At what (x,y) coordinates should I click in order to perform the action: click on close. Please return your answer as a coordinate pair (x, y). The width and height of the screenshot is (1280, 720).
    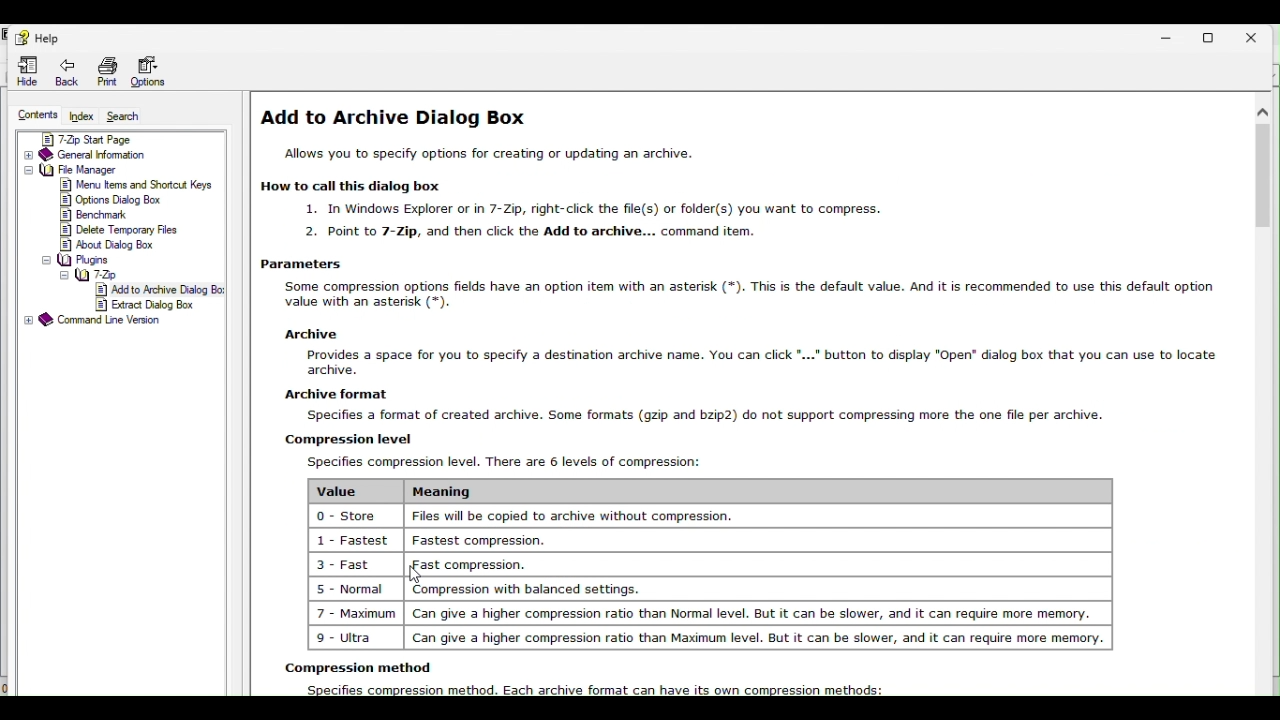
    Looking at the image, I should click on (1258, 33).